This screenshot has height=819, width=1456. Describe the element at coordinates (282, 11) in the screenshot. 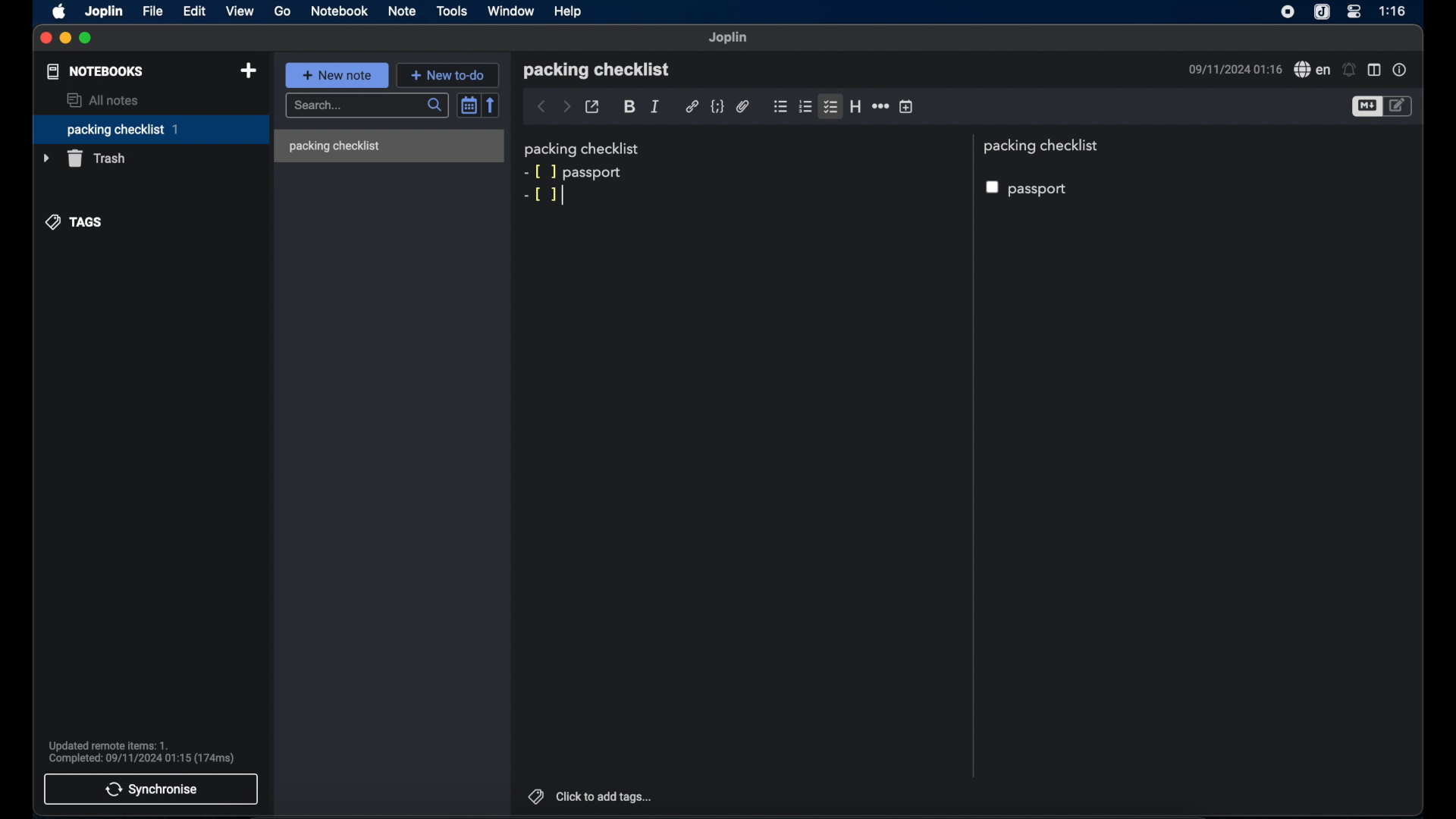

I see `go` at that location.